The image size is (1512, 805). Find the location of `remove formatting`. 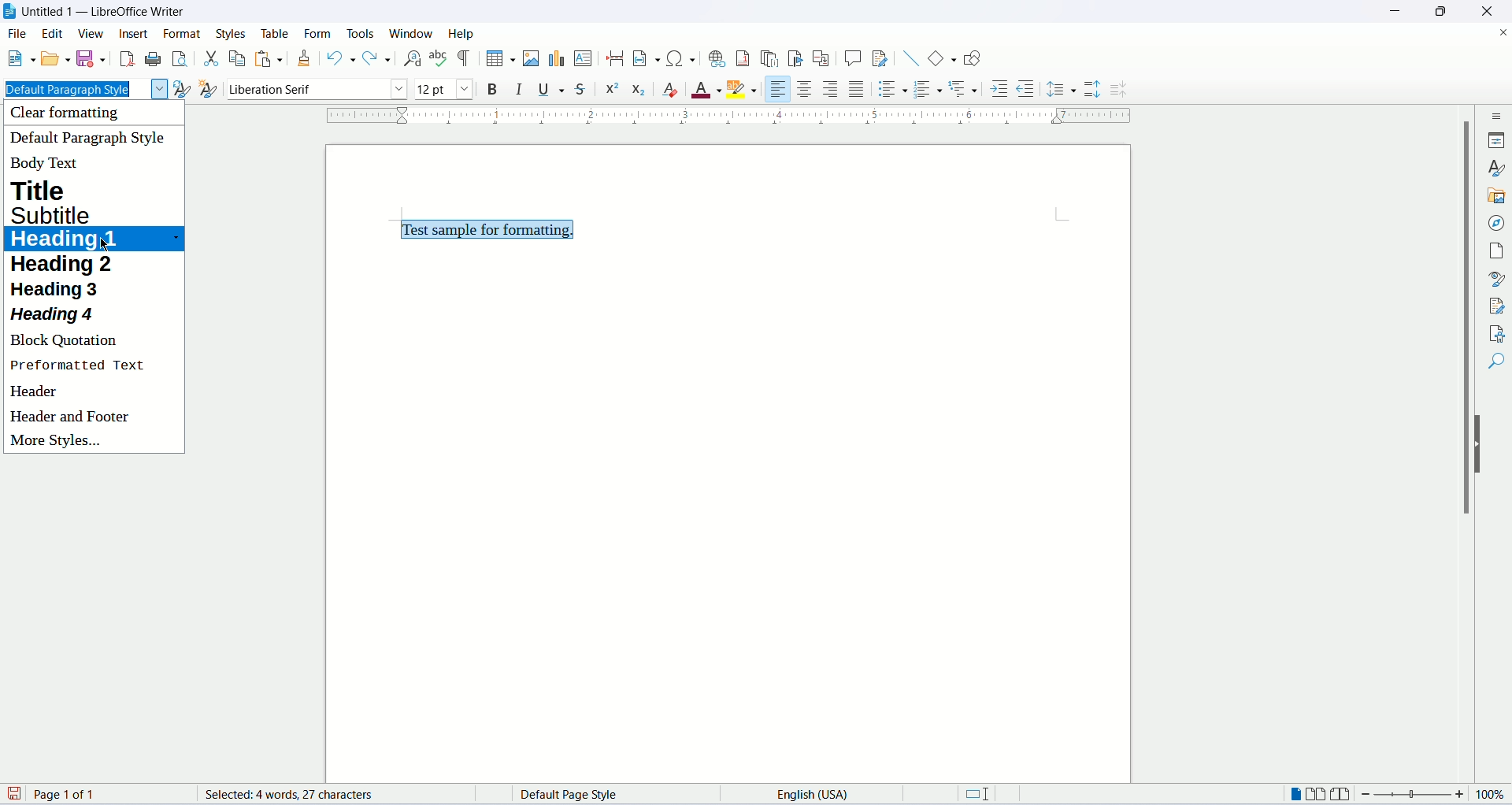

remove formatting is located at coordinates (674, 91).